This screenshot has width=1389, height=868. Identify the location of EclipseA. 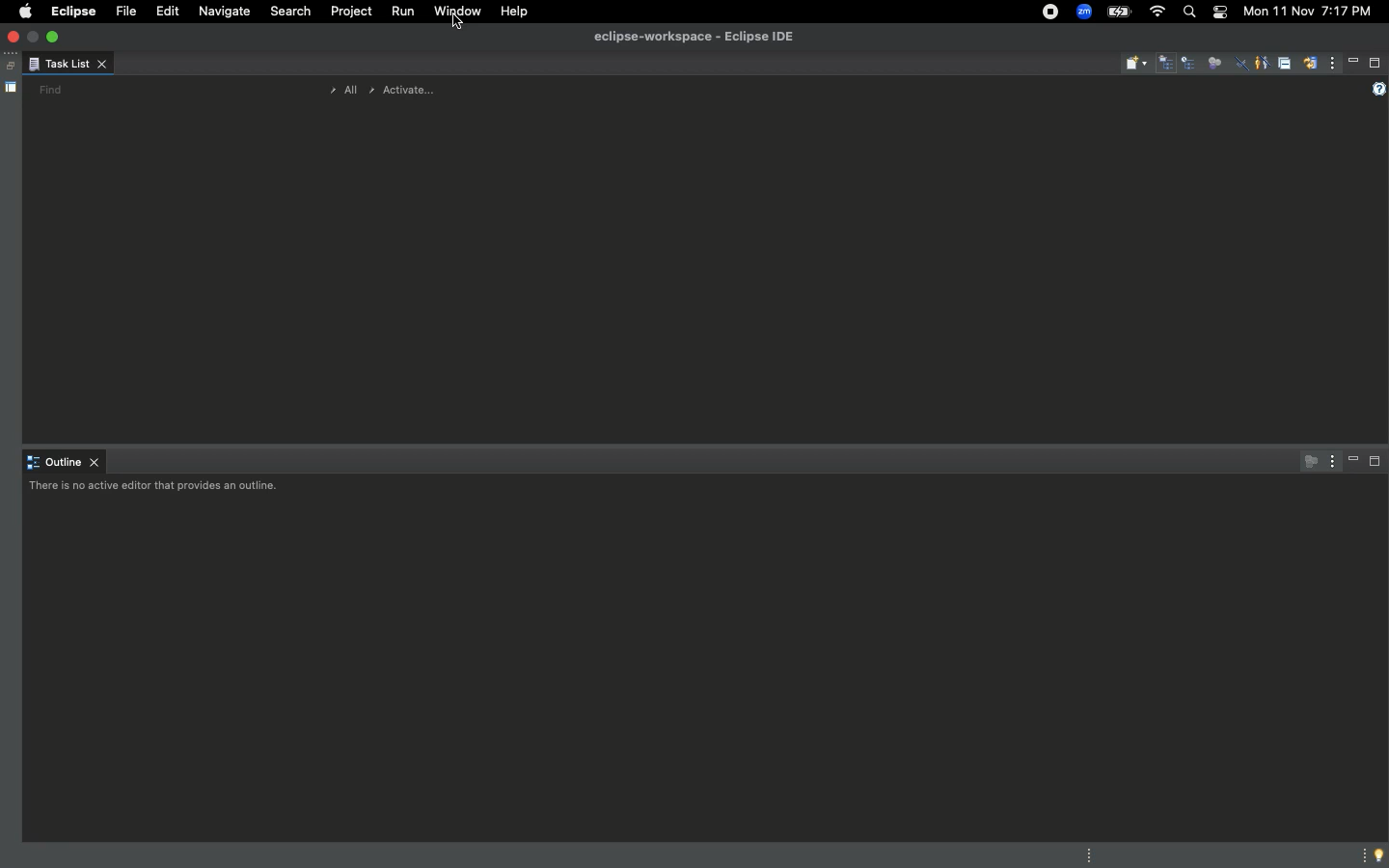
(71, 12).